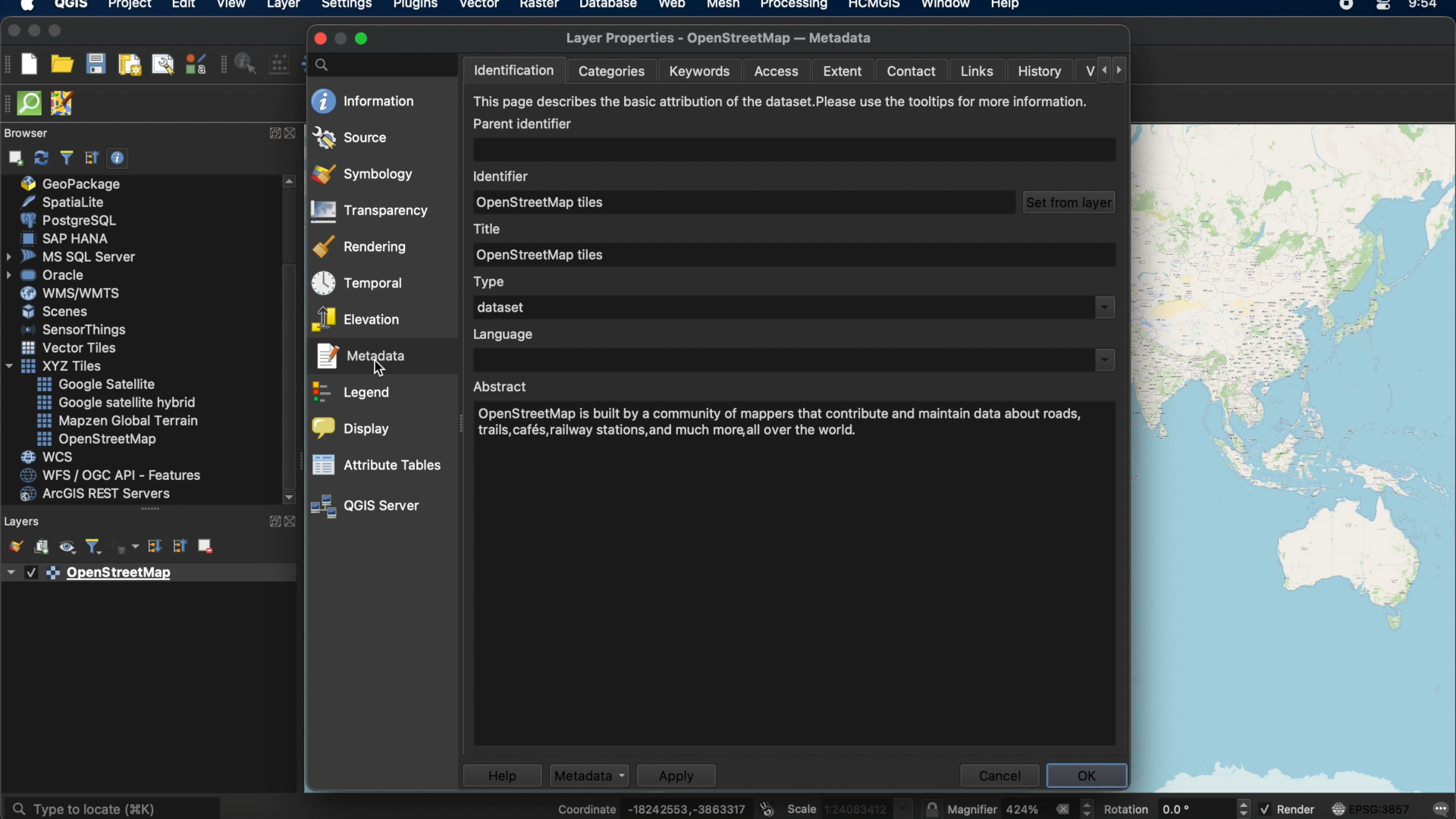 The height and width of the screenshot is (819, 1456). I want to click on style, so click(590, 775).